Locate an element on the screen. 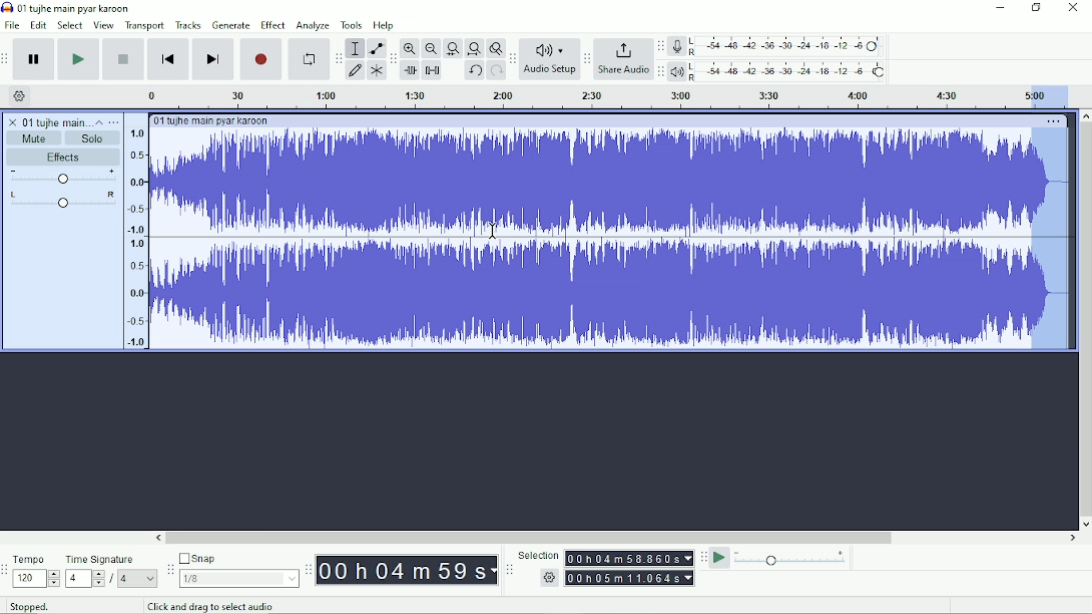  Undo is located at coordinates (475, 70).